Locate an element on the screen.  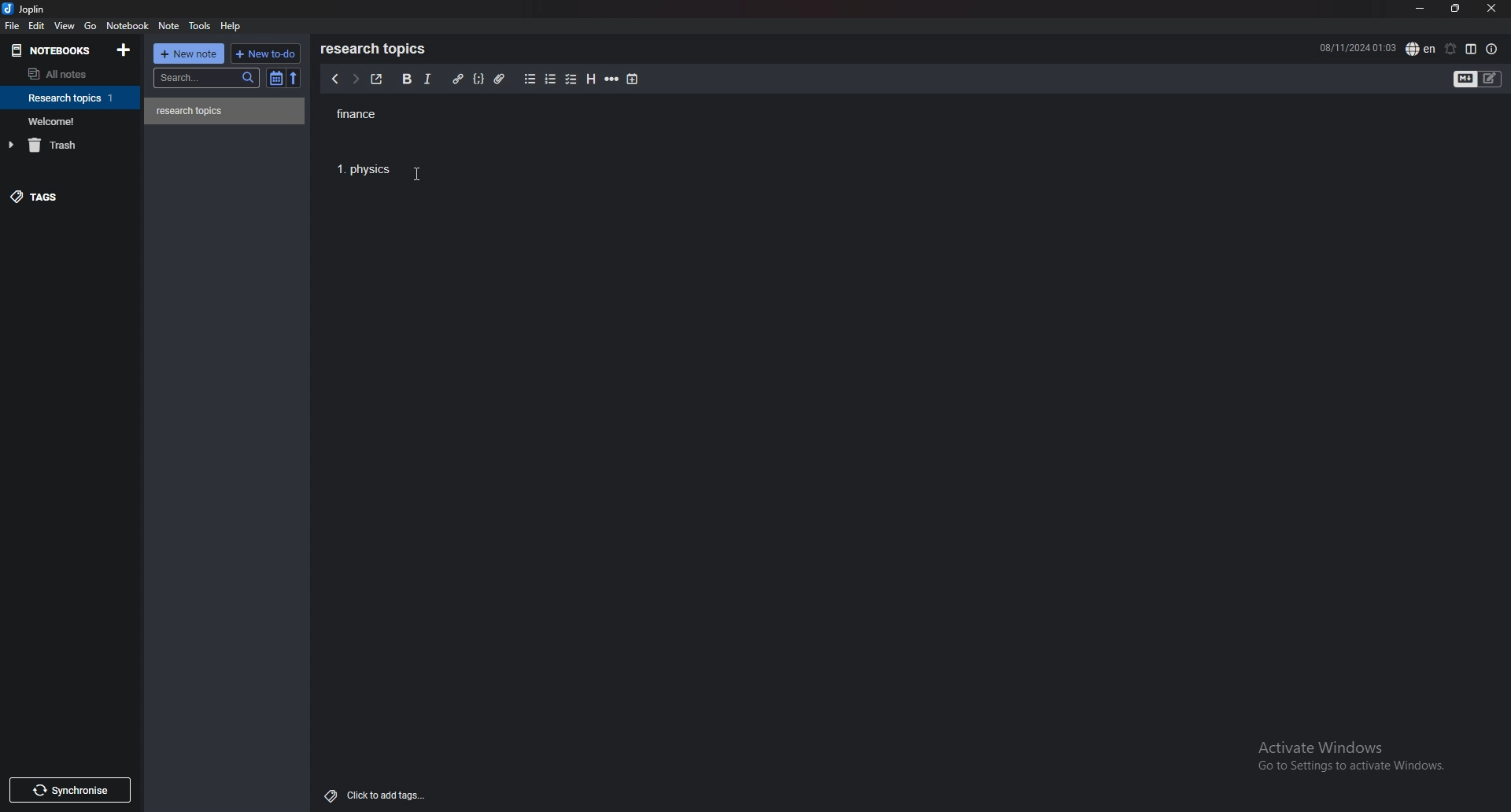
note properties is located at coordinates (1492, 49).